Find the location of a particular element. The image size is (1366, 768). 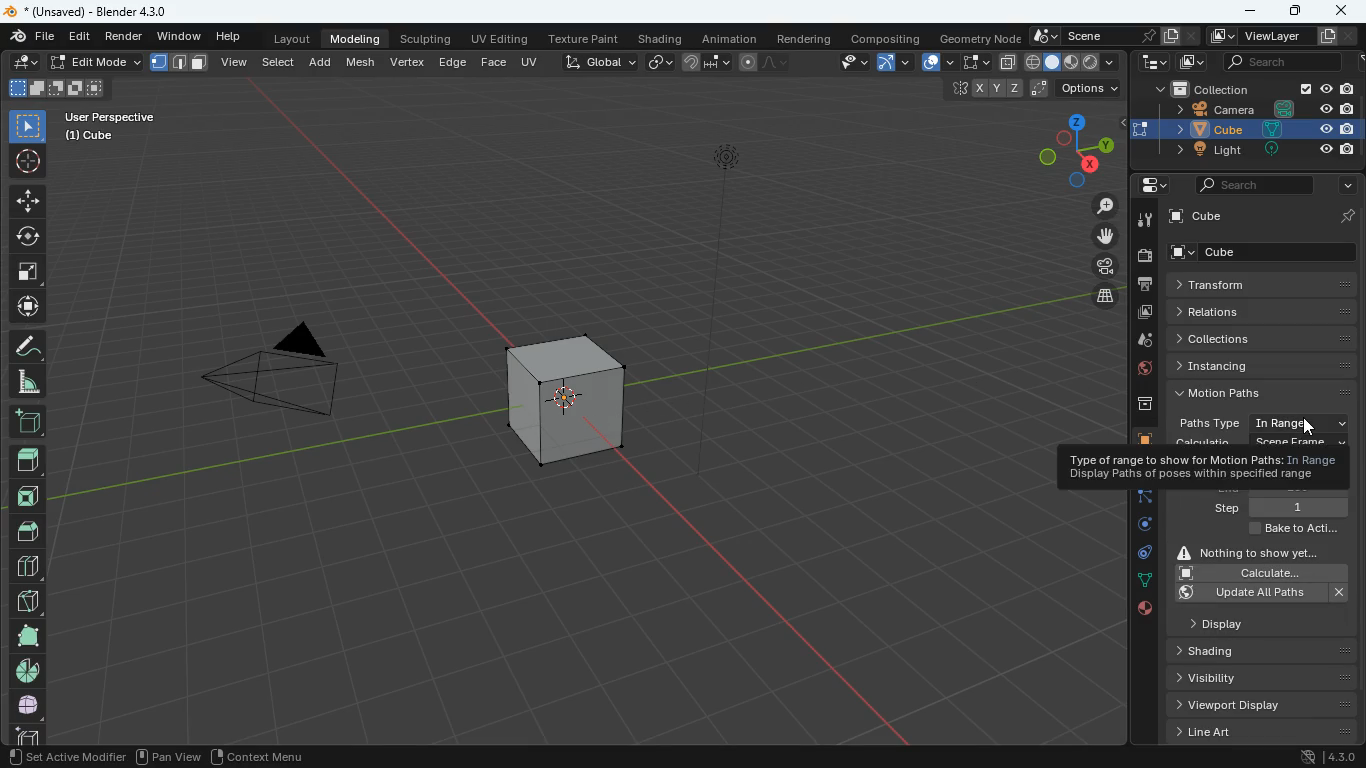

Display is located at coordinates (1241, 622).